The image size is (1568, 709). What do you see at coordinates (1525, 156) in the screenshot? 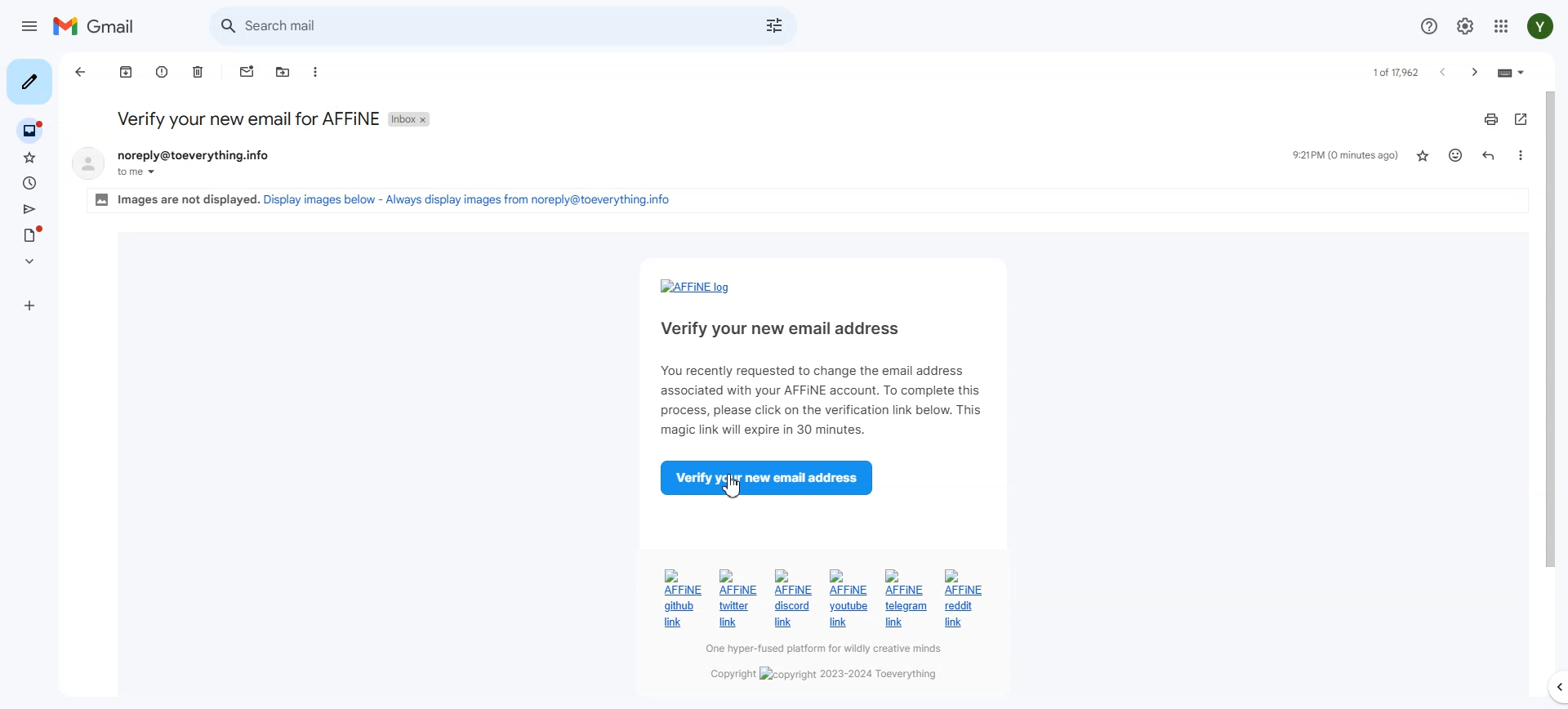
I see `more` at bounding box center [1525, 156].